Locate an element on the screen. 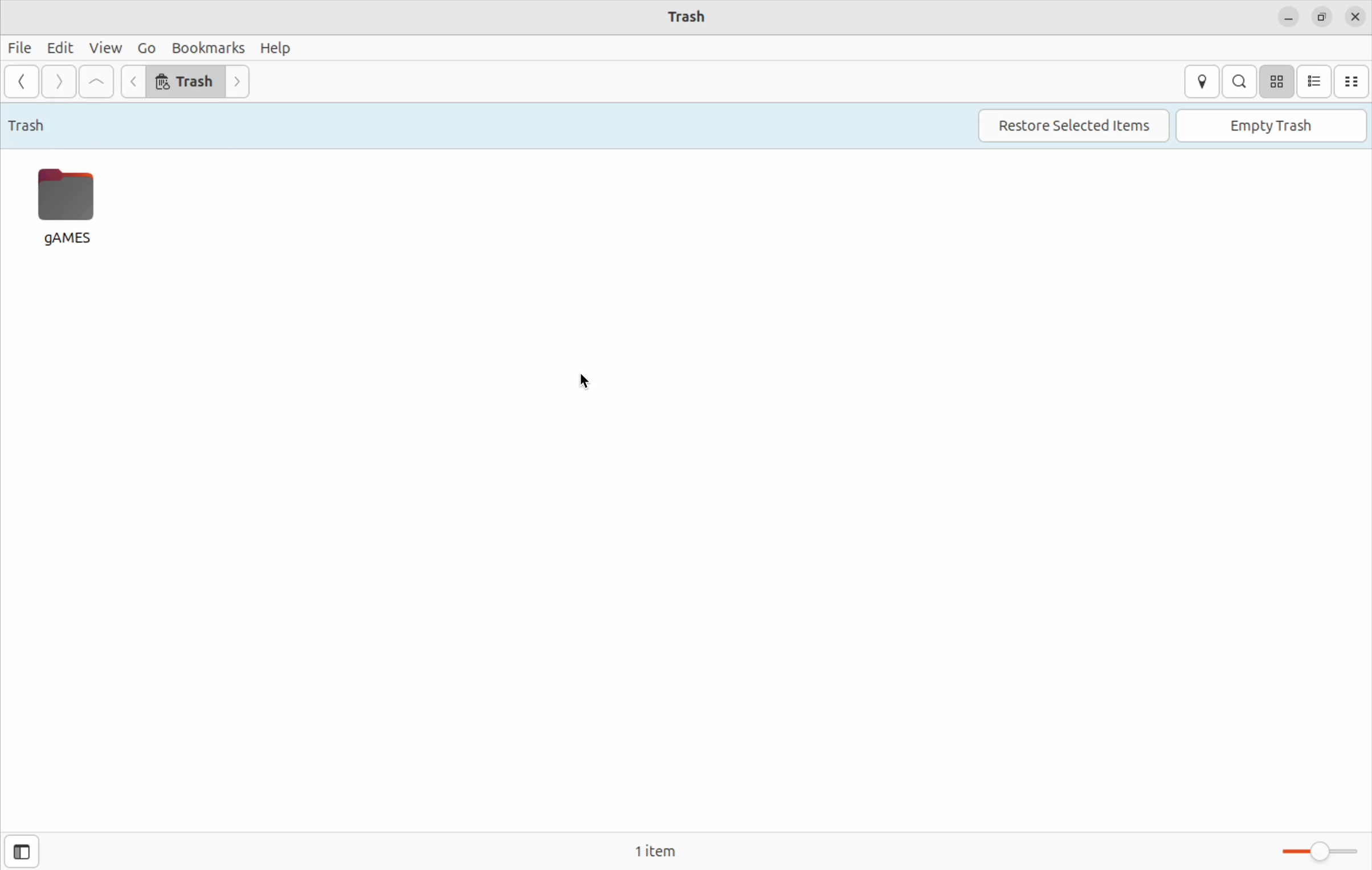  Go is located at coordinates (146, 47).